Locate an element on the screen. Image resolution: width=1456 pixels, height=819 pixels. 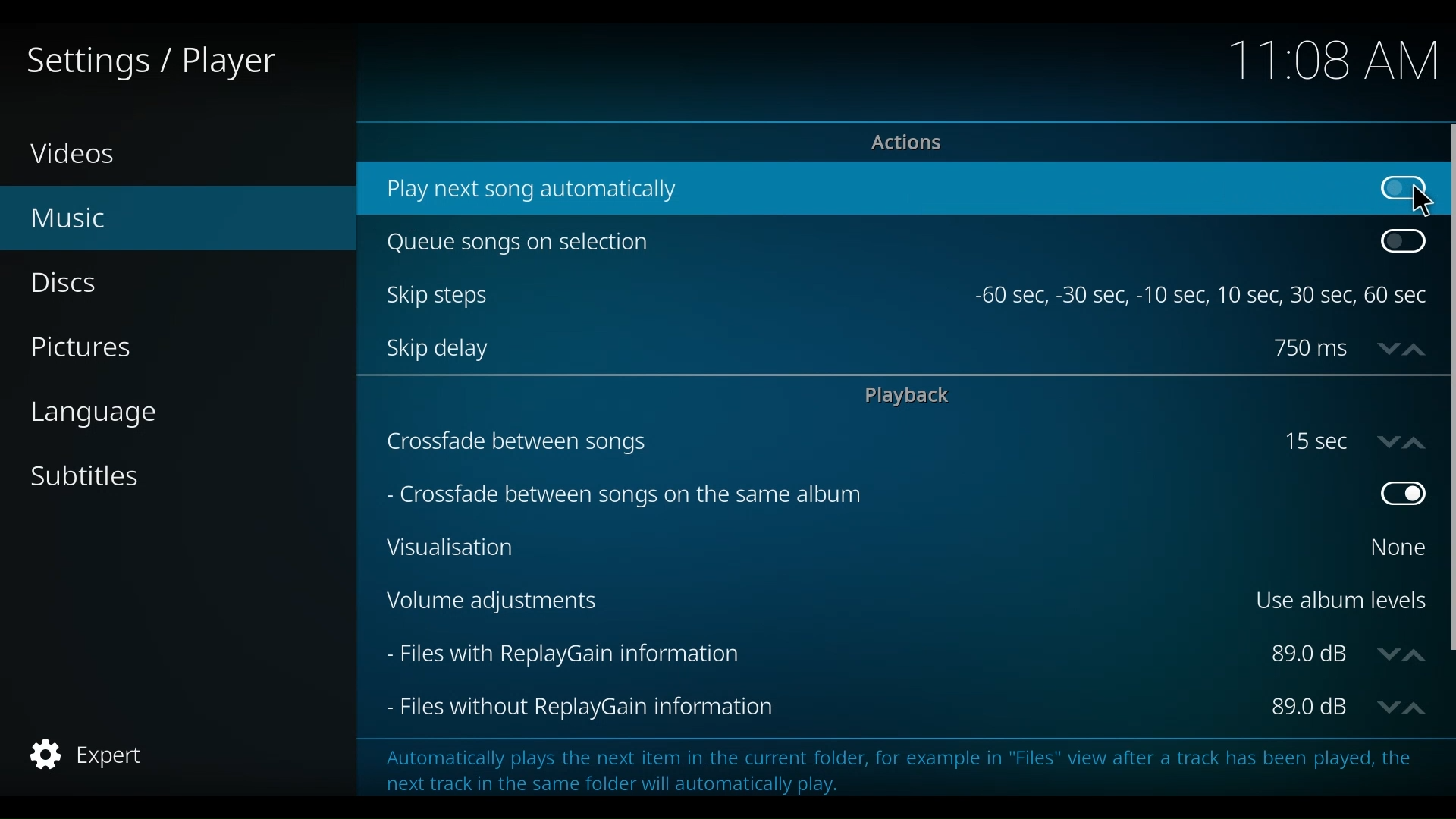
Toggle on/off Queue songs on selection is located at coordinates (1402, 242).